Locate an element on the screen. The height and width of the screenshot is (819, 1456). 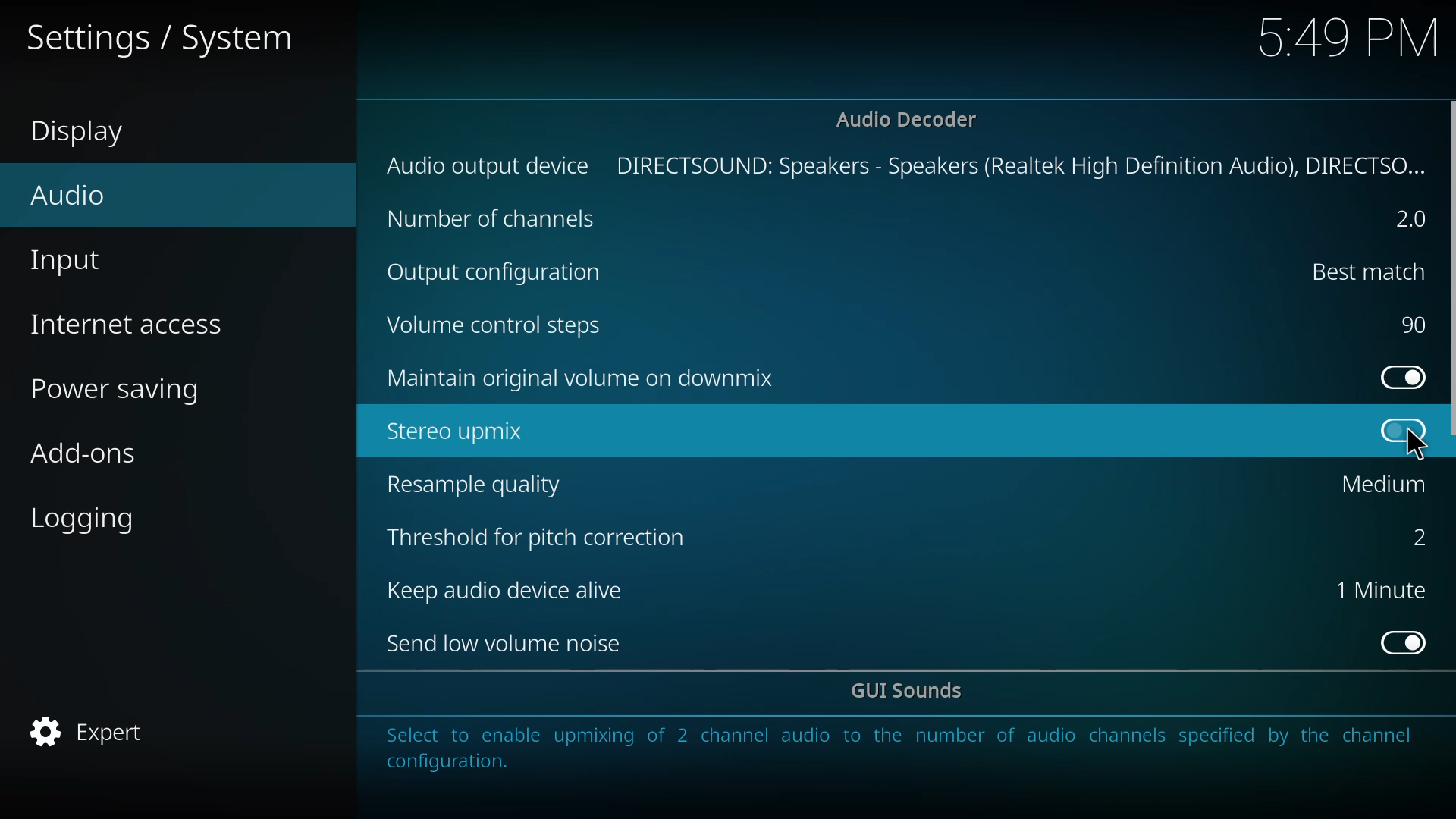
channels is located at coordinates (494, 218).